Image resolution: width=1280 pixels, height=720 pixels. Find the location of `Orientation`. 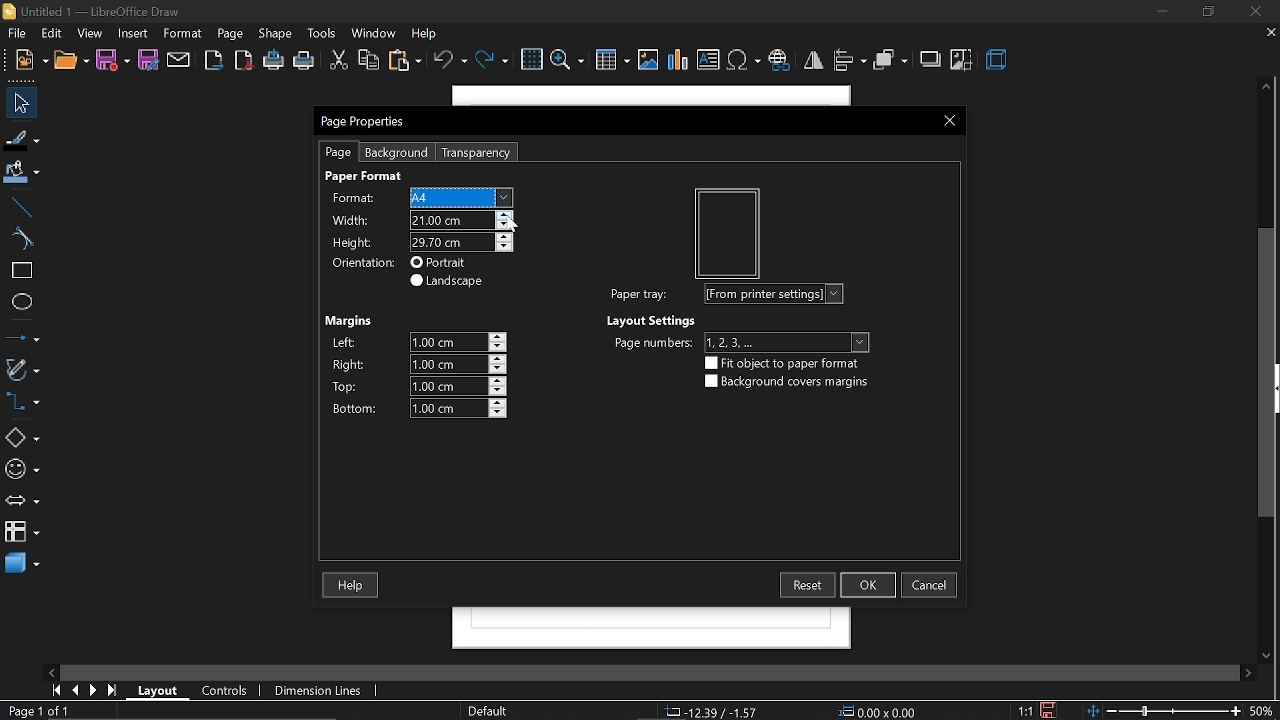

Orientation is located at coordinates (359, 264).